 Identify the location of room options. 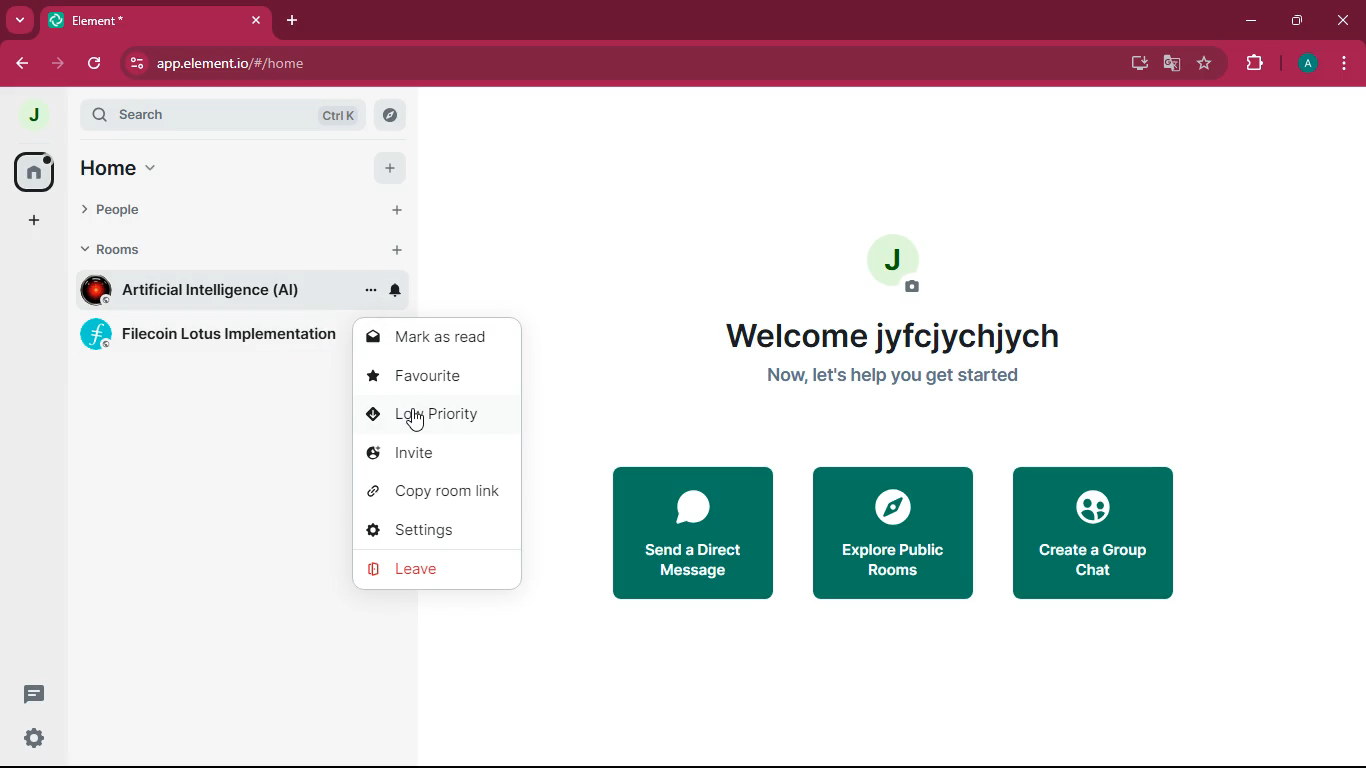
(371, 293).